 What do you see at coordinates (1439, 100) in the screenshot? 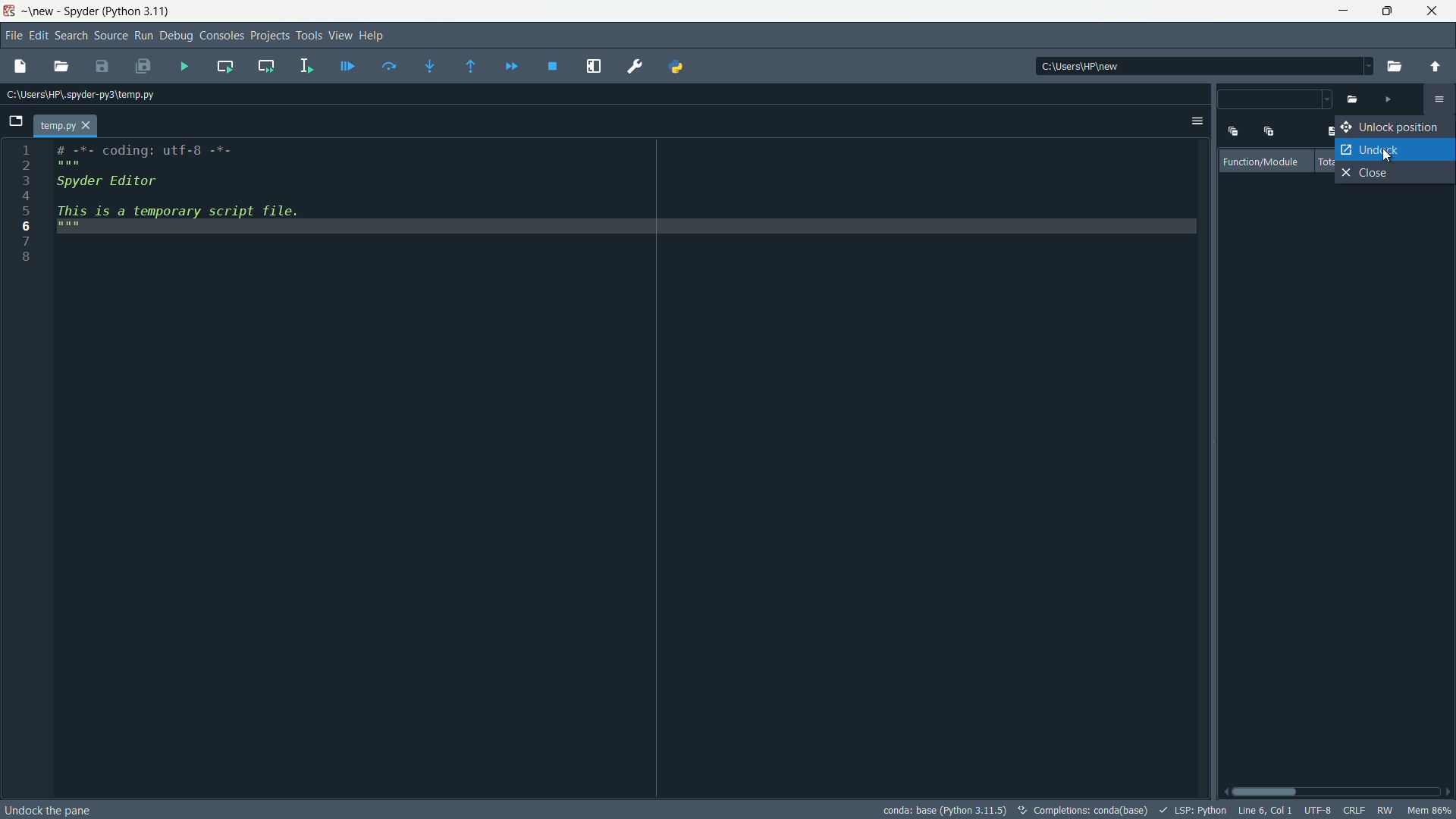
I see `profiler pane settings` at bounding box center [1439, 100].